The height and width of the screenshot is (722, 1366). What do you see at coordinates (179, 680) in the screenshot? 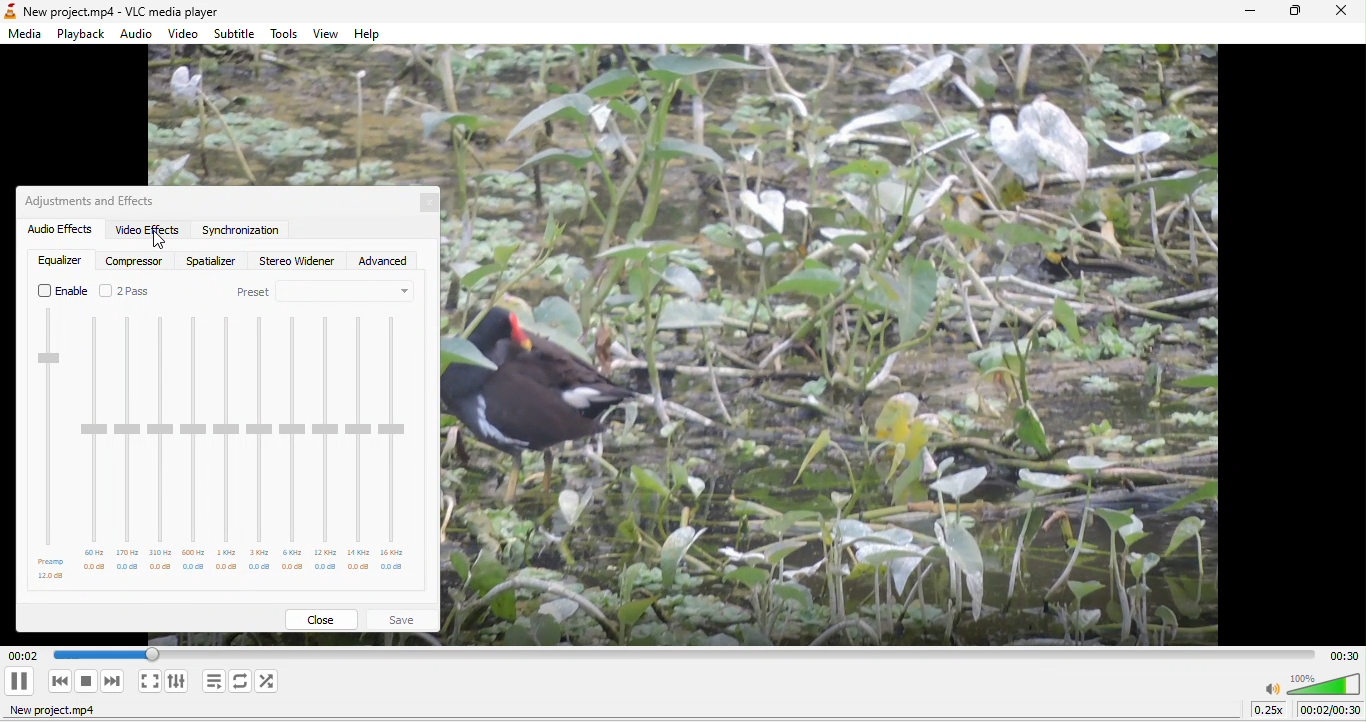
I see `show extended settings` at bounding box center [179, 680].